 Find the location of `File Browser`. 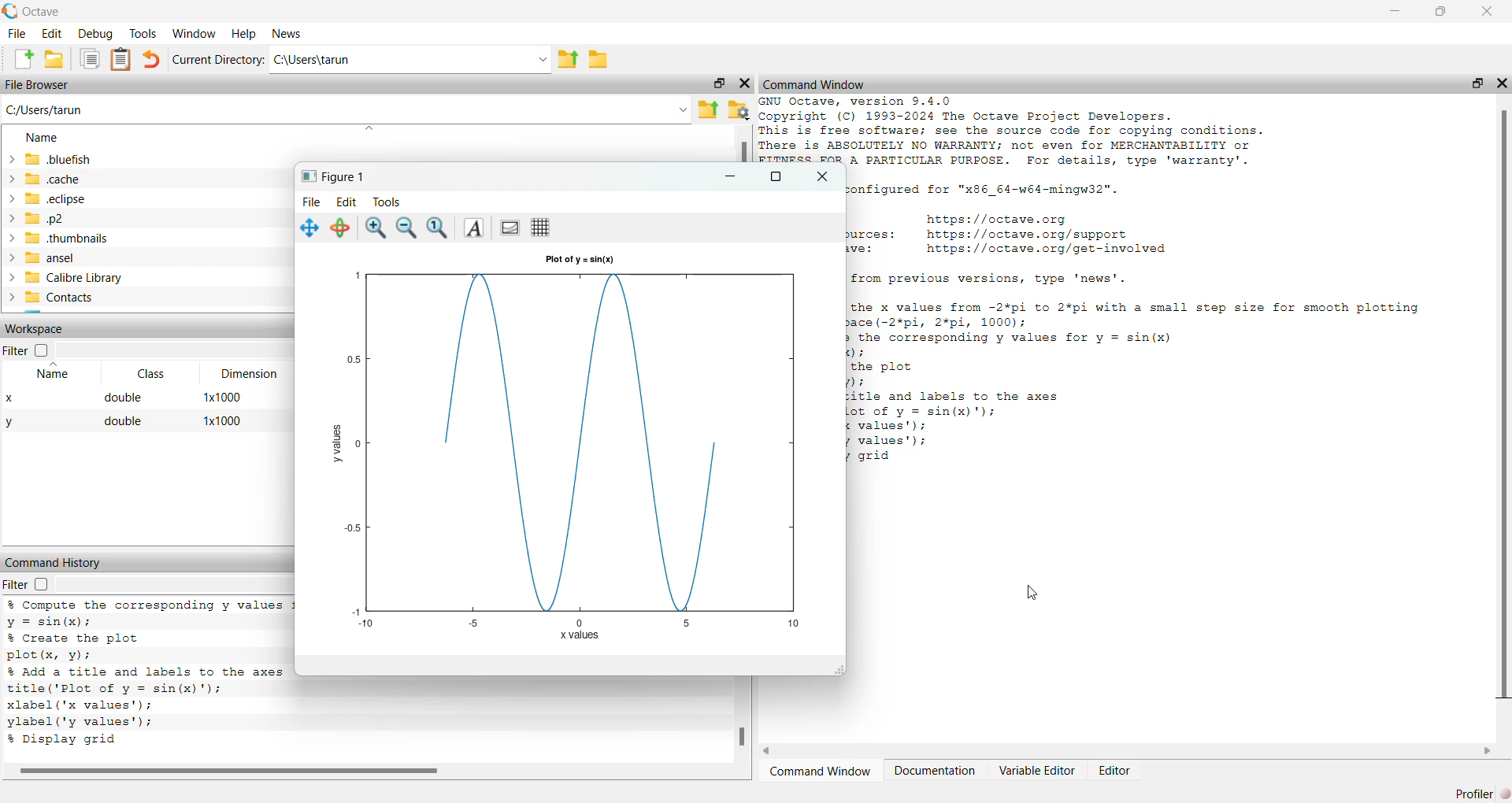

File Browser is located at coordinates (35, 85).